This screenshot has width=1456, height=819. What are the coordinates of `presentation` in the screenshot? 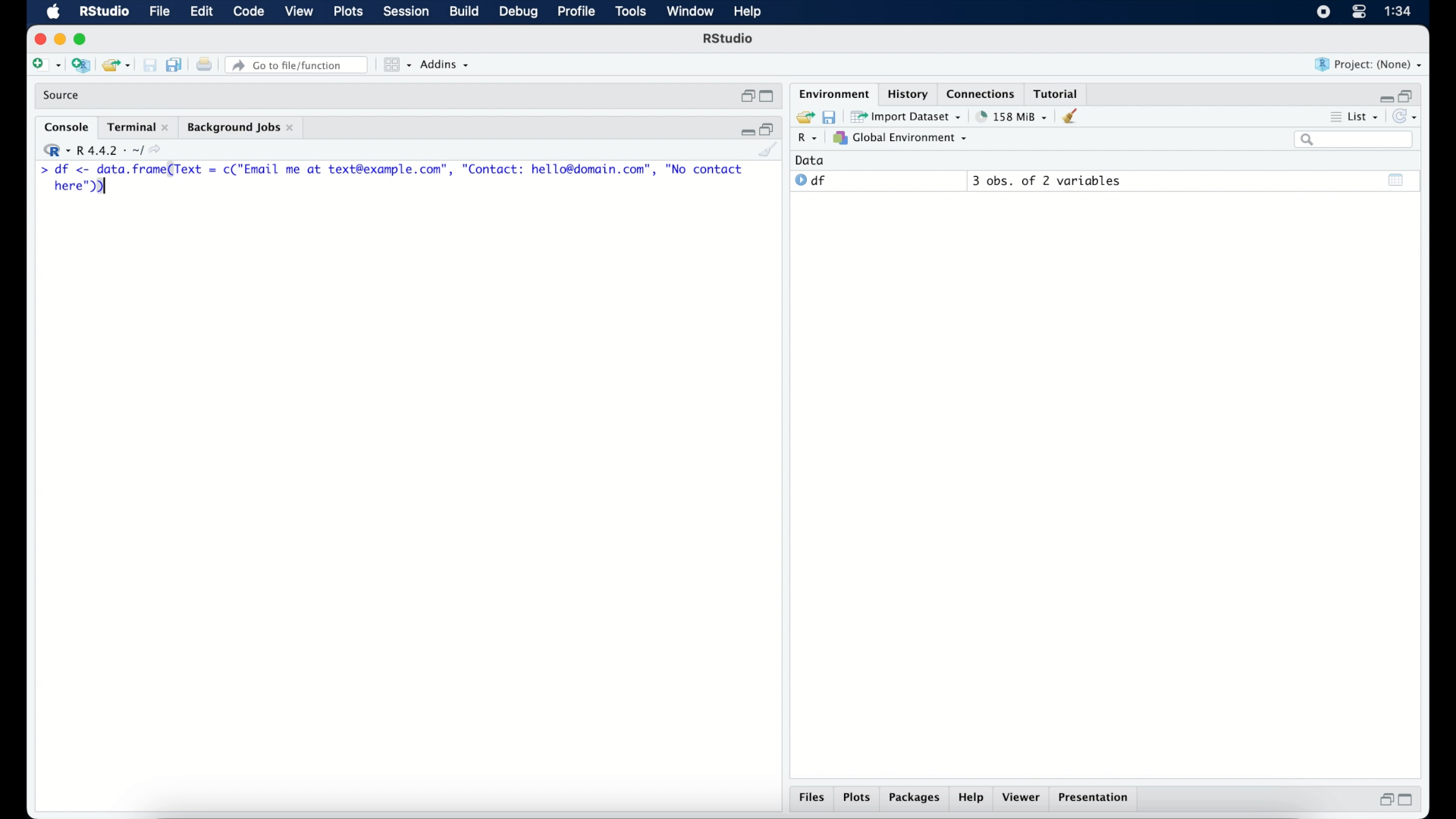 It's located at (1096, 799).